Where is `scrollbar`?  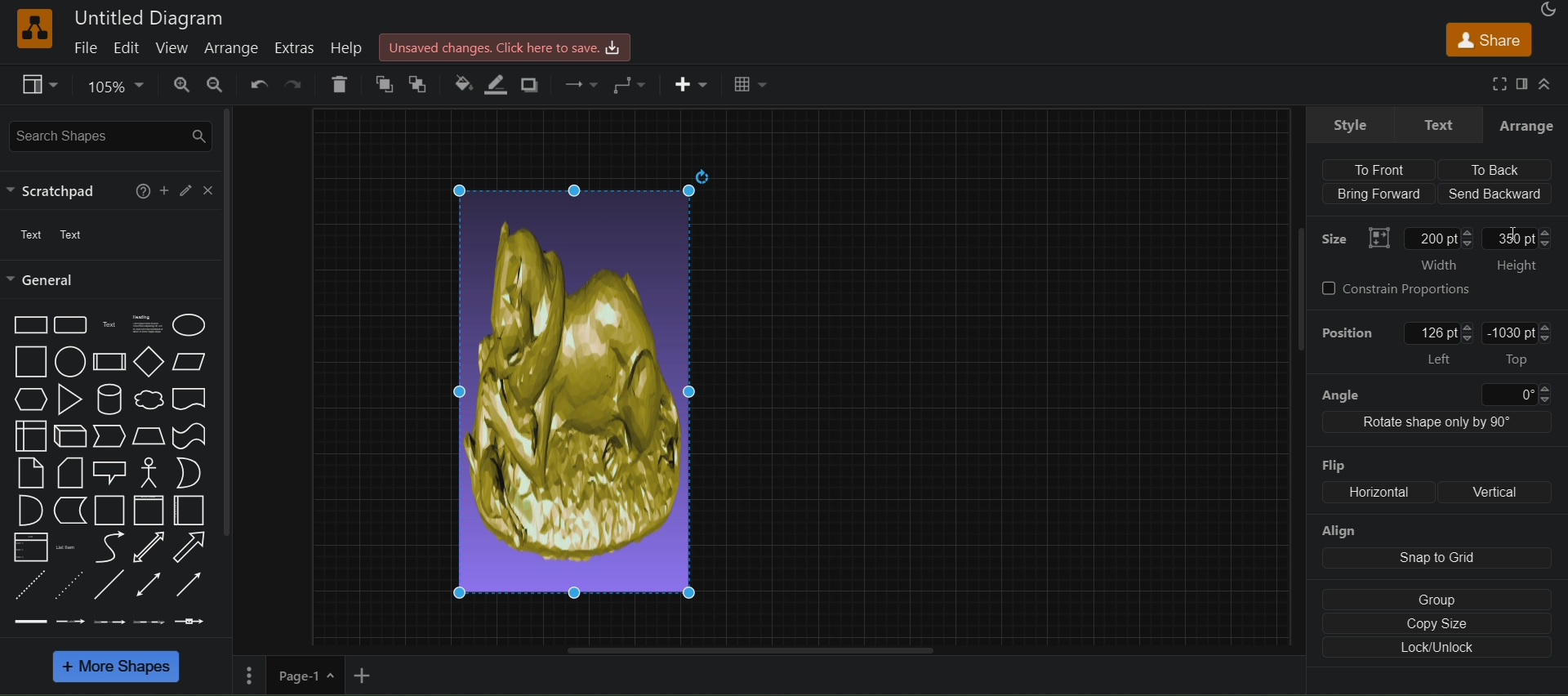
scrollbar is located at coordinates (1296, 289).